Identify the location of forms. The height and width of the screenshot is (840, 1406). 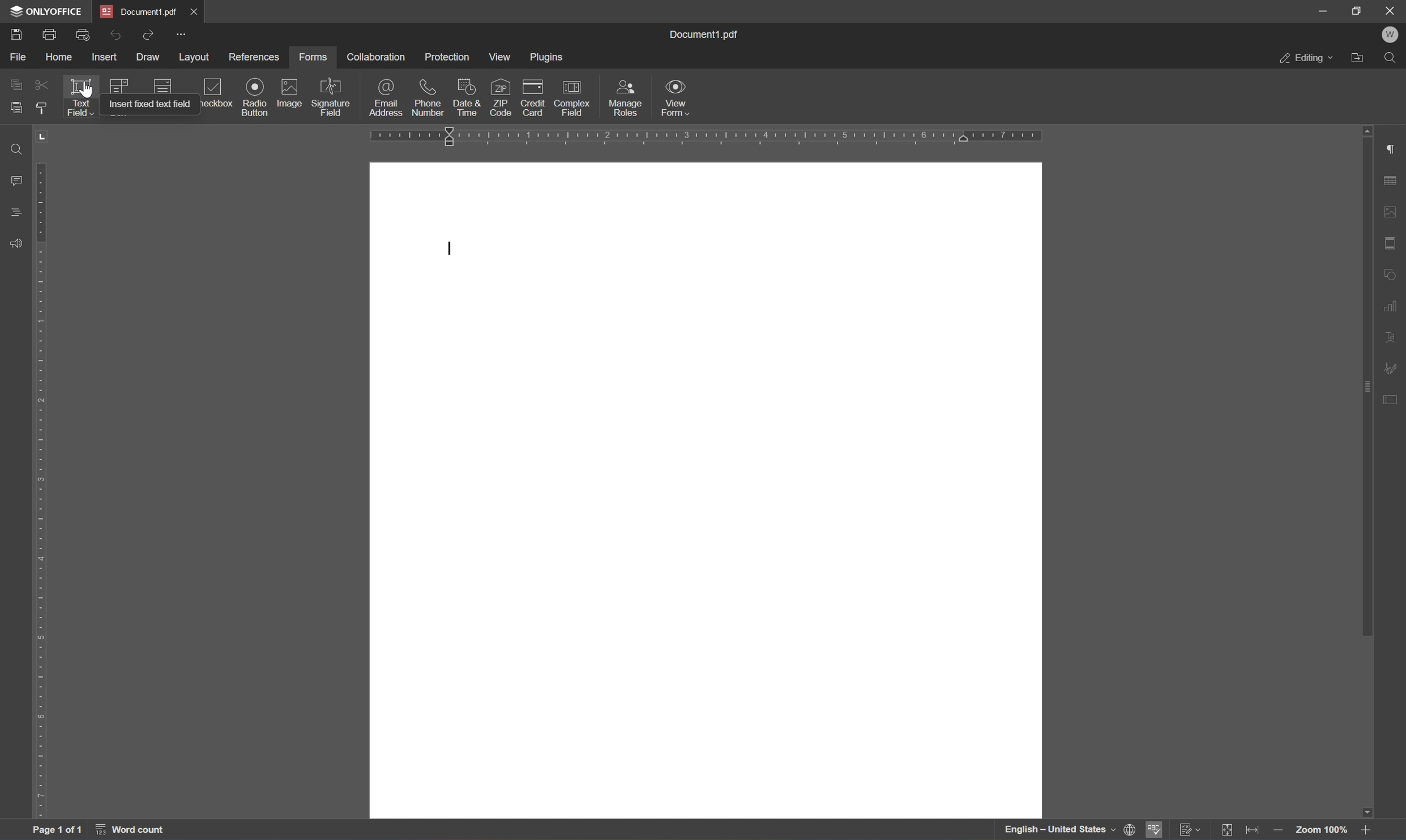
(314, 58).